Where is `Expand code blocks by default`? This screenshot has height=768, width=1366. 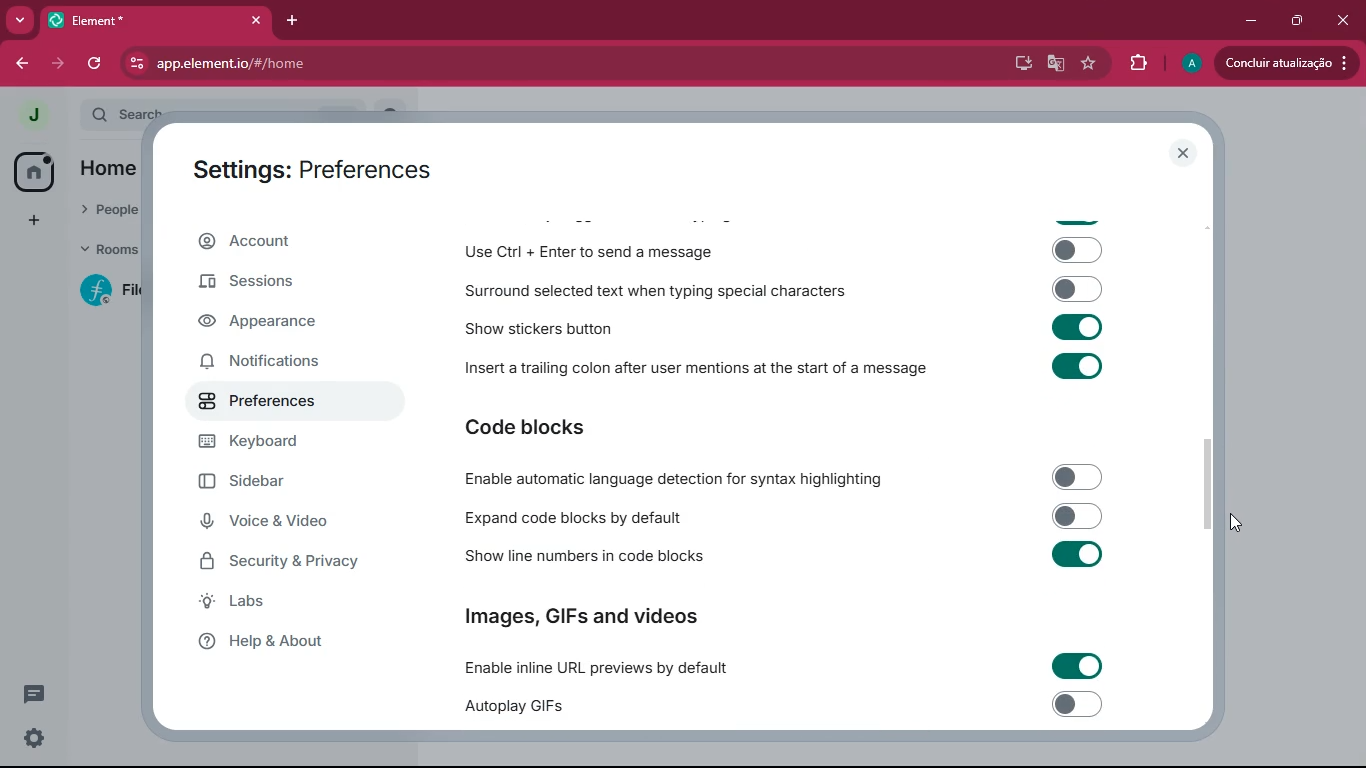 Expand code blocks by default is located at coordinates (779, 516).